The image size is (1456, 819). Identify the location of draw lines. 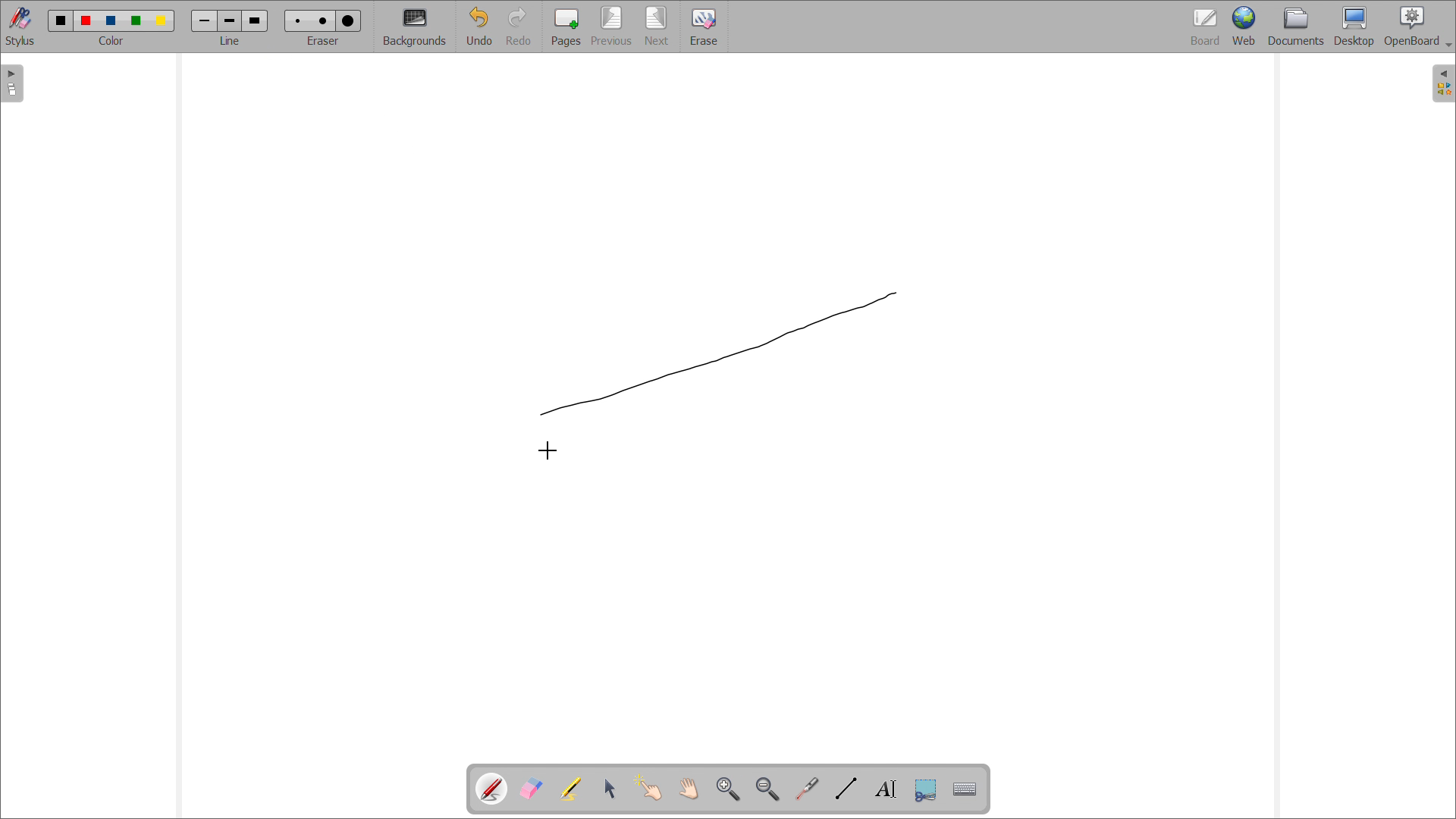
(846, 789).